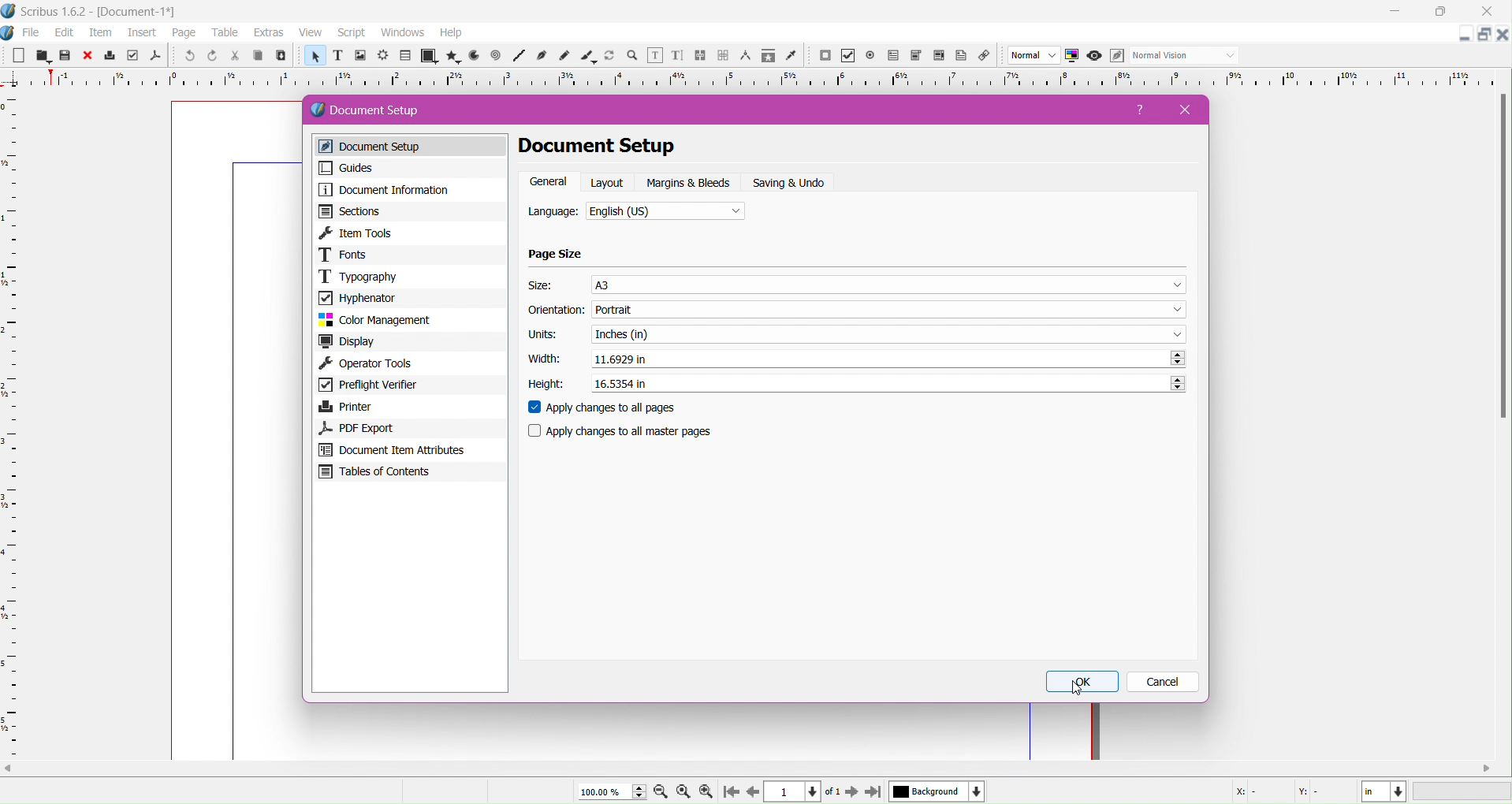 Image resolution: width=1512 pixels, height=804 pixels. What do you see at coordinates (1093, 56) in the screenshot?
I see `preview mode` at bounding box center [1093, 56].